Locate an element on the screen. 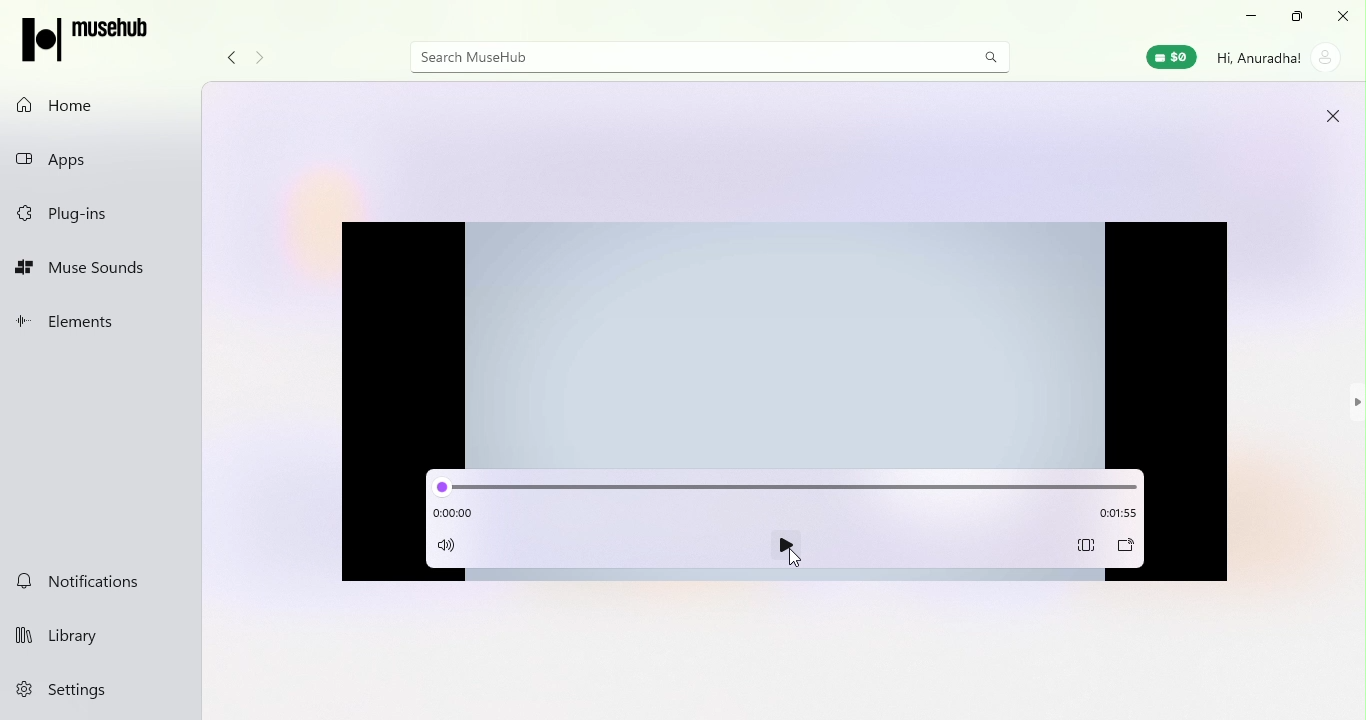 This screenshot has height=720, width=1366. Maximize is located at coordinates (1295, 17).